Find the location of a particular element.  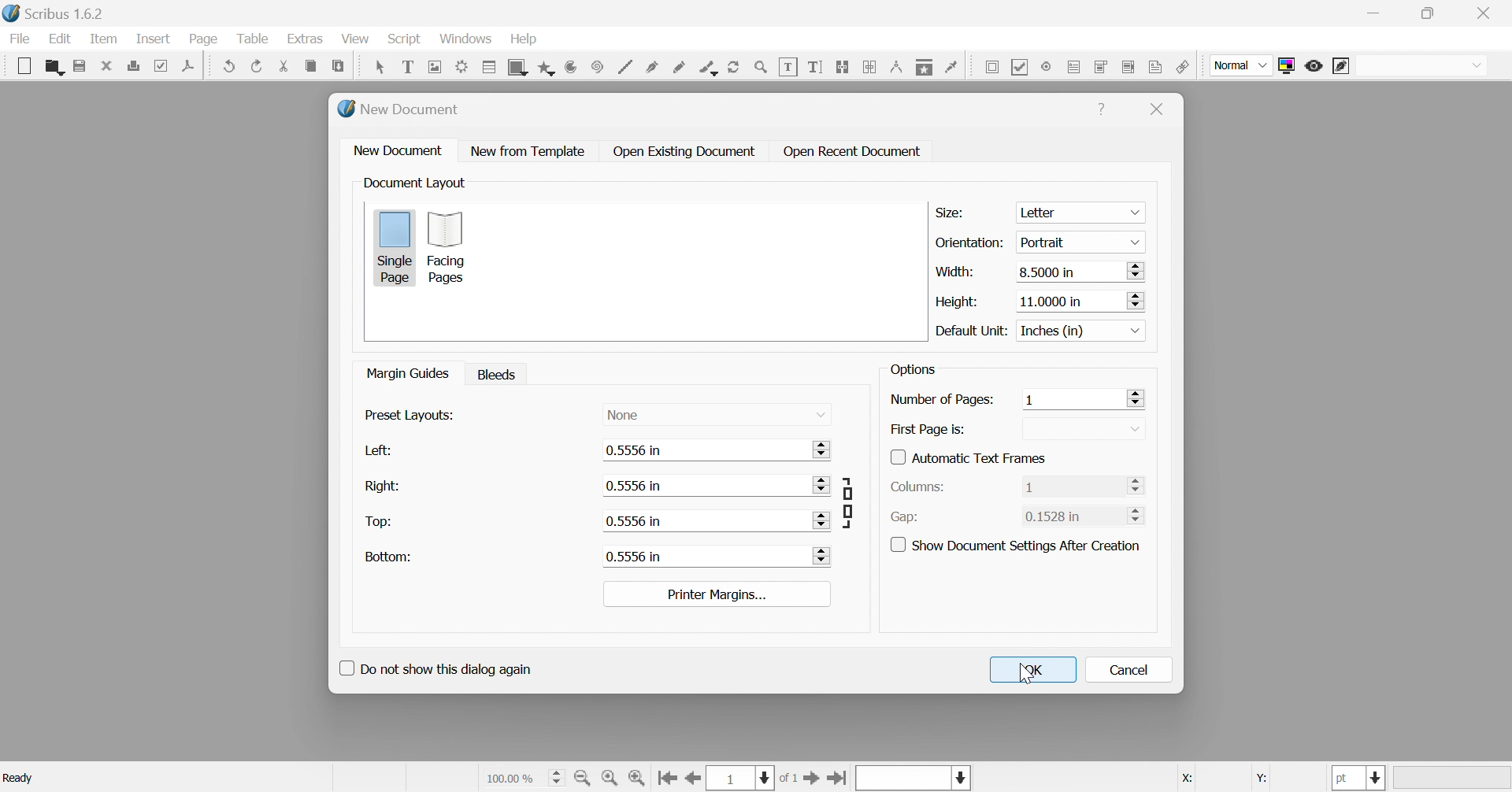

 is located at coordinates (24, 63).